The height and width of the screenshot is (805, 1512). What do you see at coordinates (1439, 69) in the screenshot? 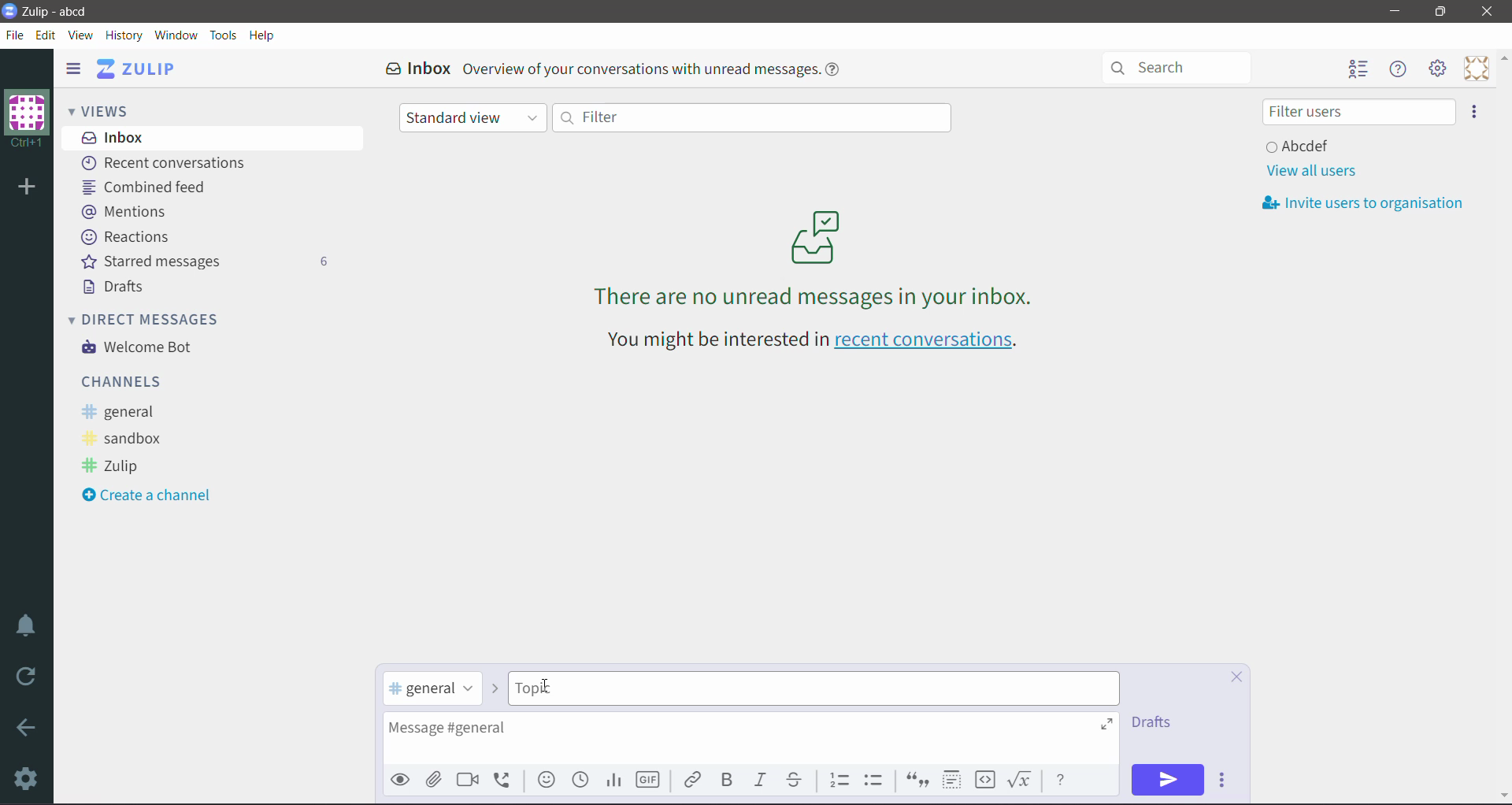
I see `Main Menu` at bounding box center [1439, 69].